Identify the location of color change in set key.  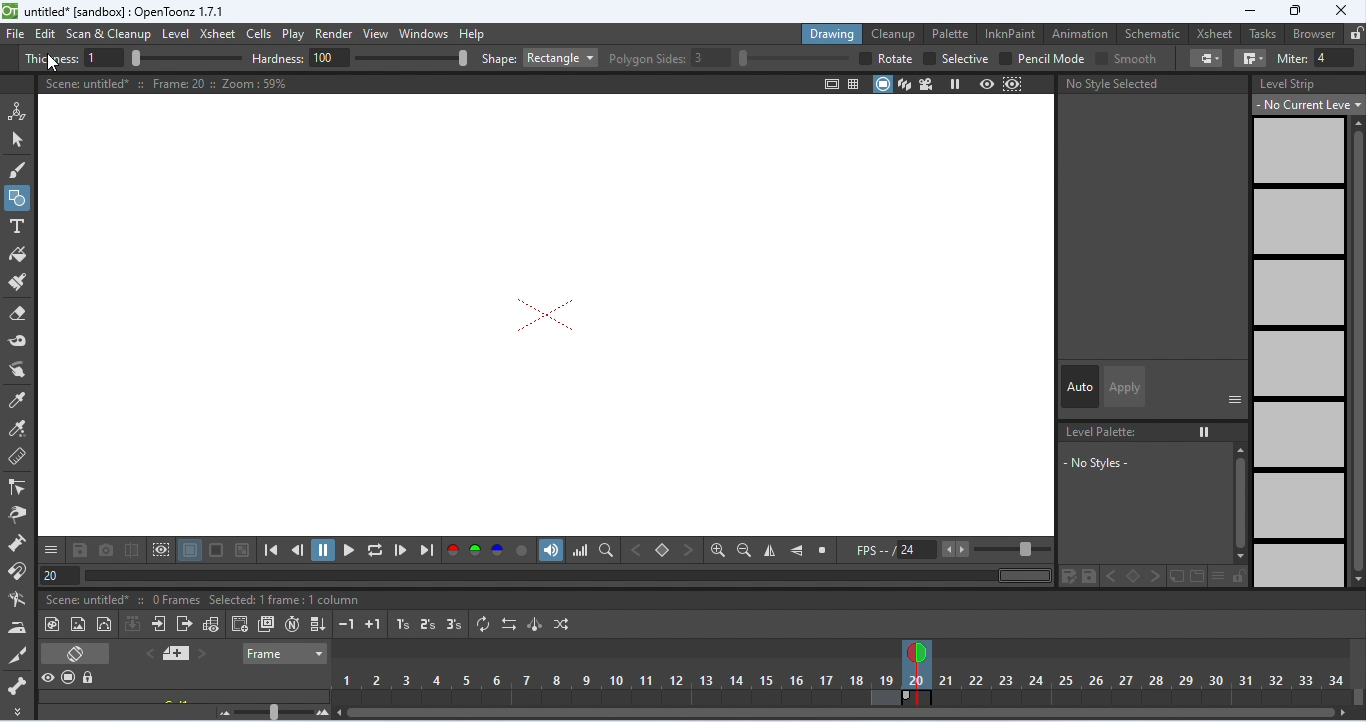
(1130, 575).